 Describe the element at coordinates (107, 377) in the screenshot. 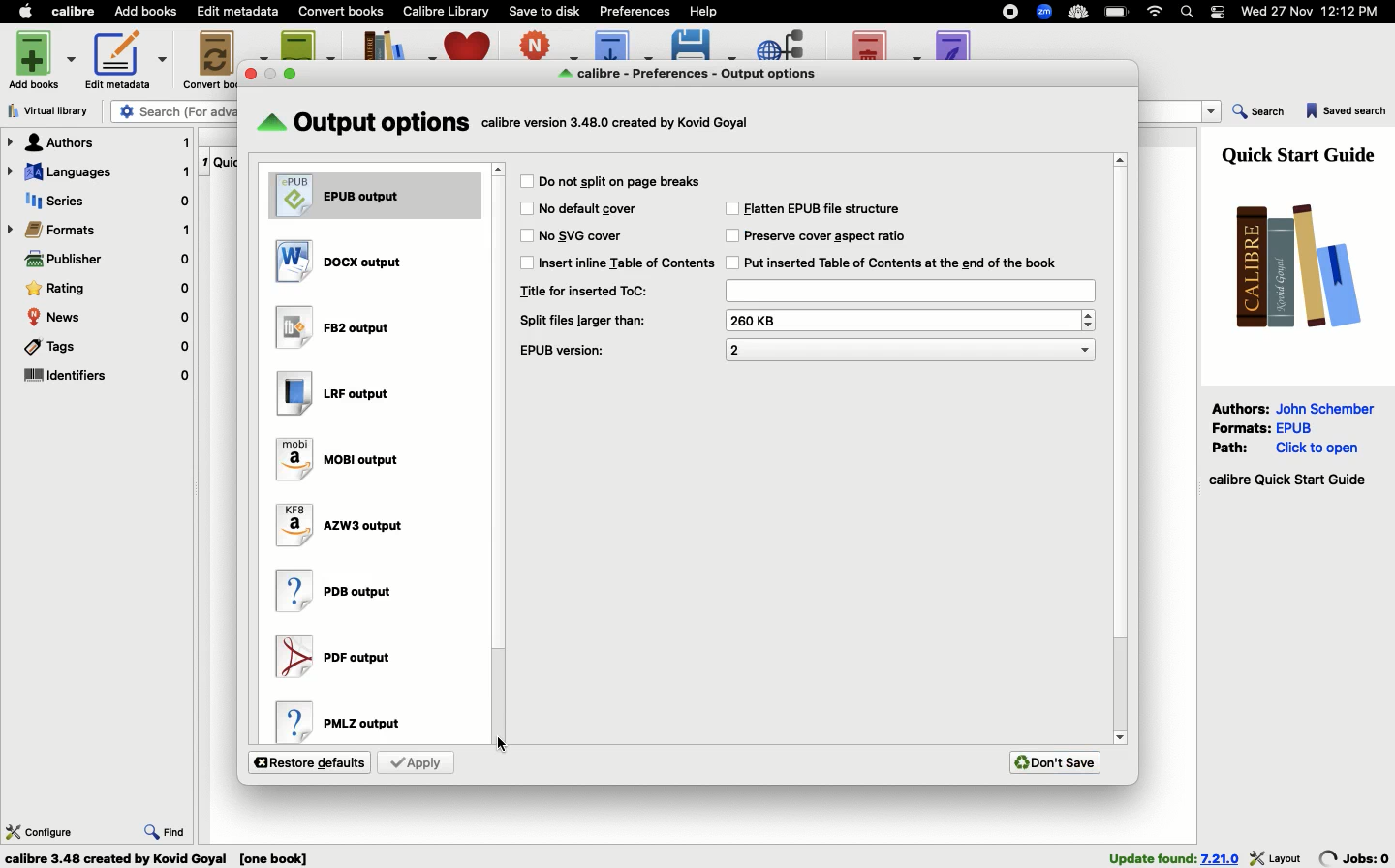

I see `Identifiers` at that location.